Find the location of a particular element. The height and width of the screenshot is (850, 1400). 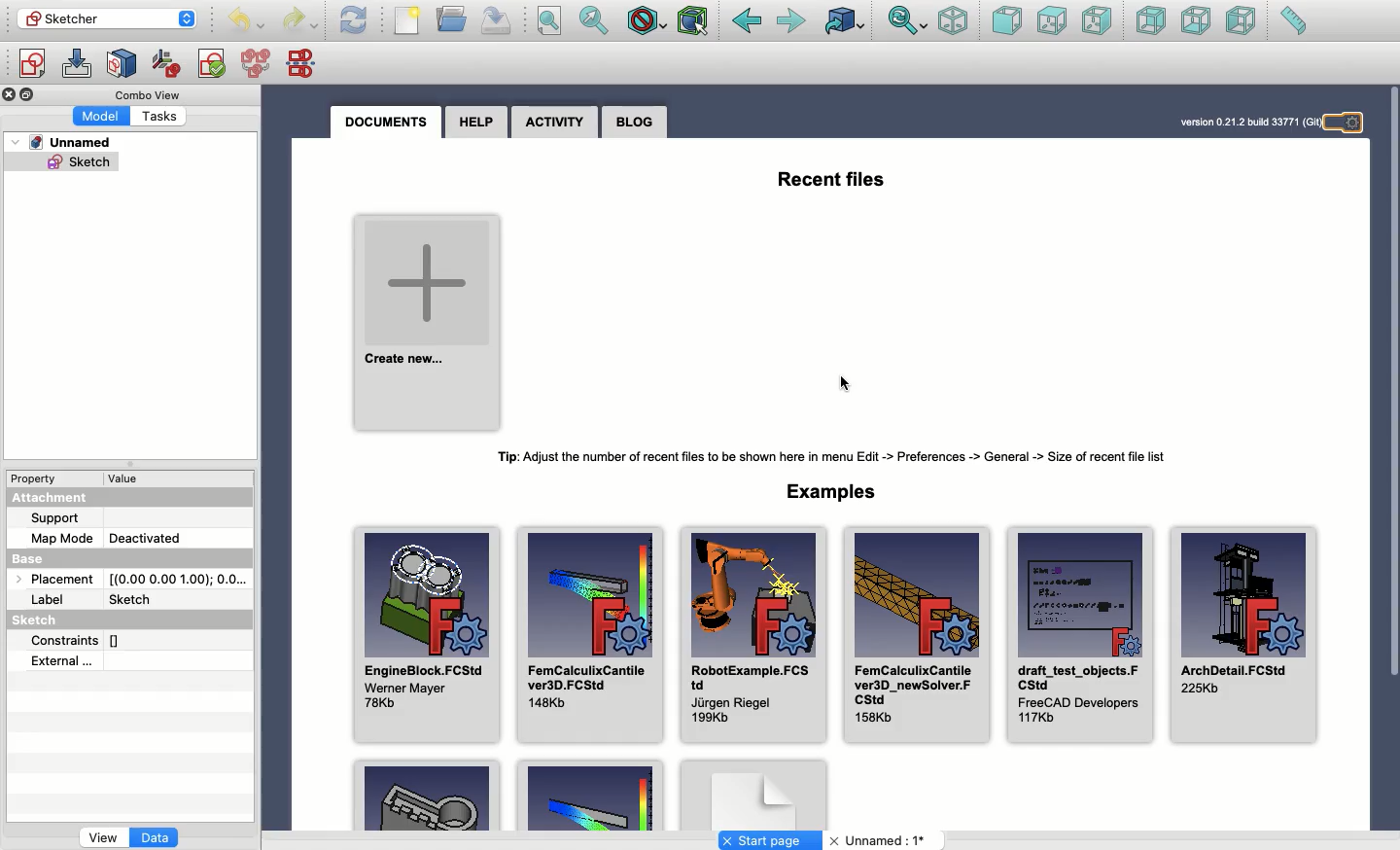

Start page is located at coordinates (772, 839).